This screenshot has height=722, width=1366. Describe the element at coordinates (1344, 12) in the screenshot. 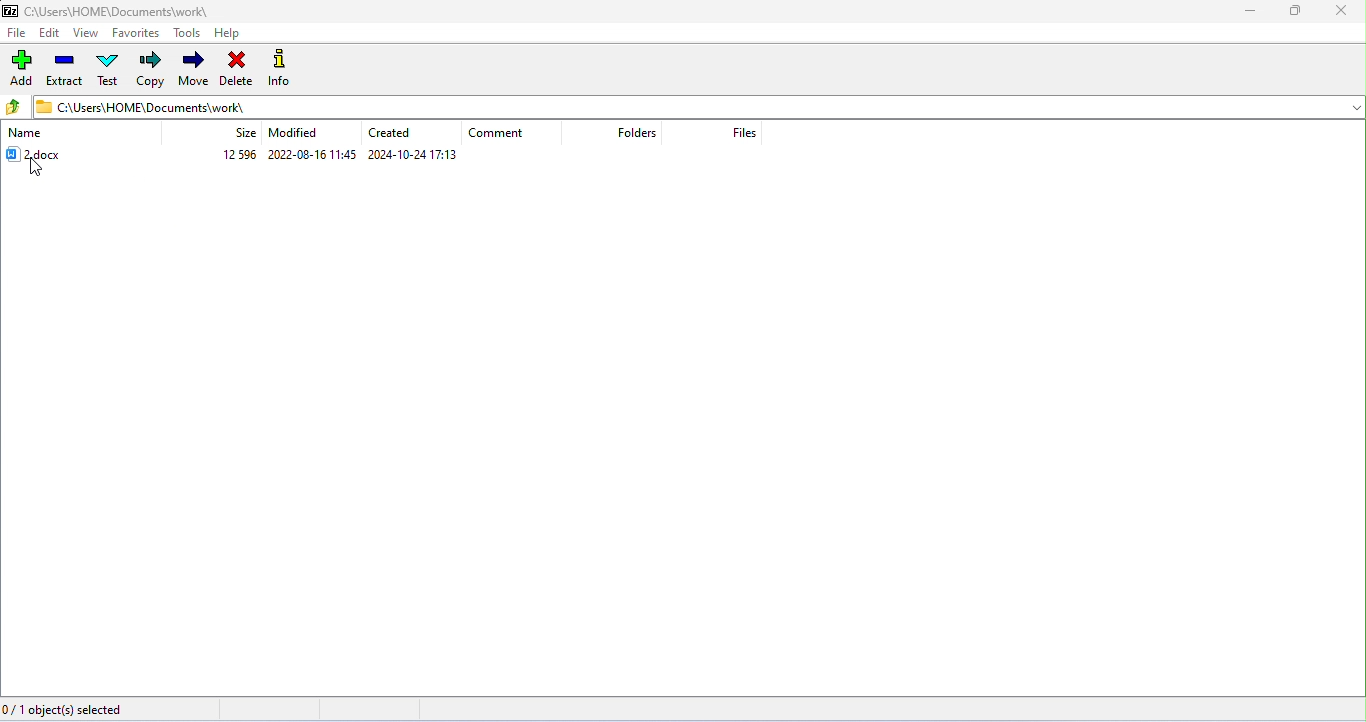

I see `close` at that location.